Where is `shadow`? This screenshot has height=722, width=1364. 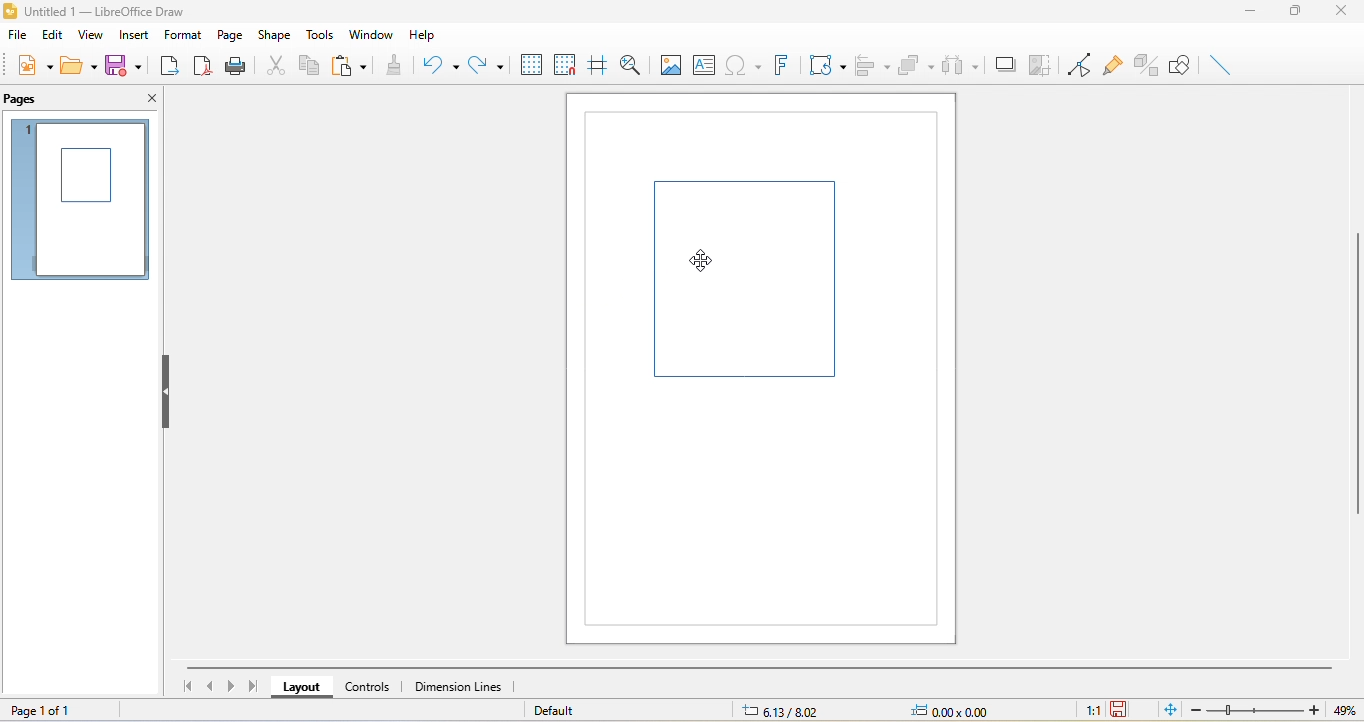
shadow is located at coordinates (1005, 63).